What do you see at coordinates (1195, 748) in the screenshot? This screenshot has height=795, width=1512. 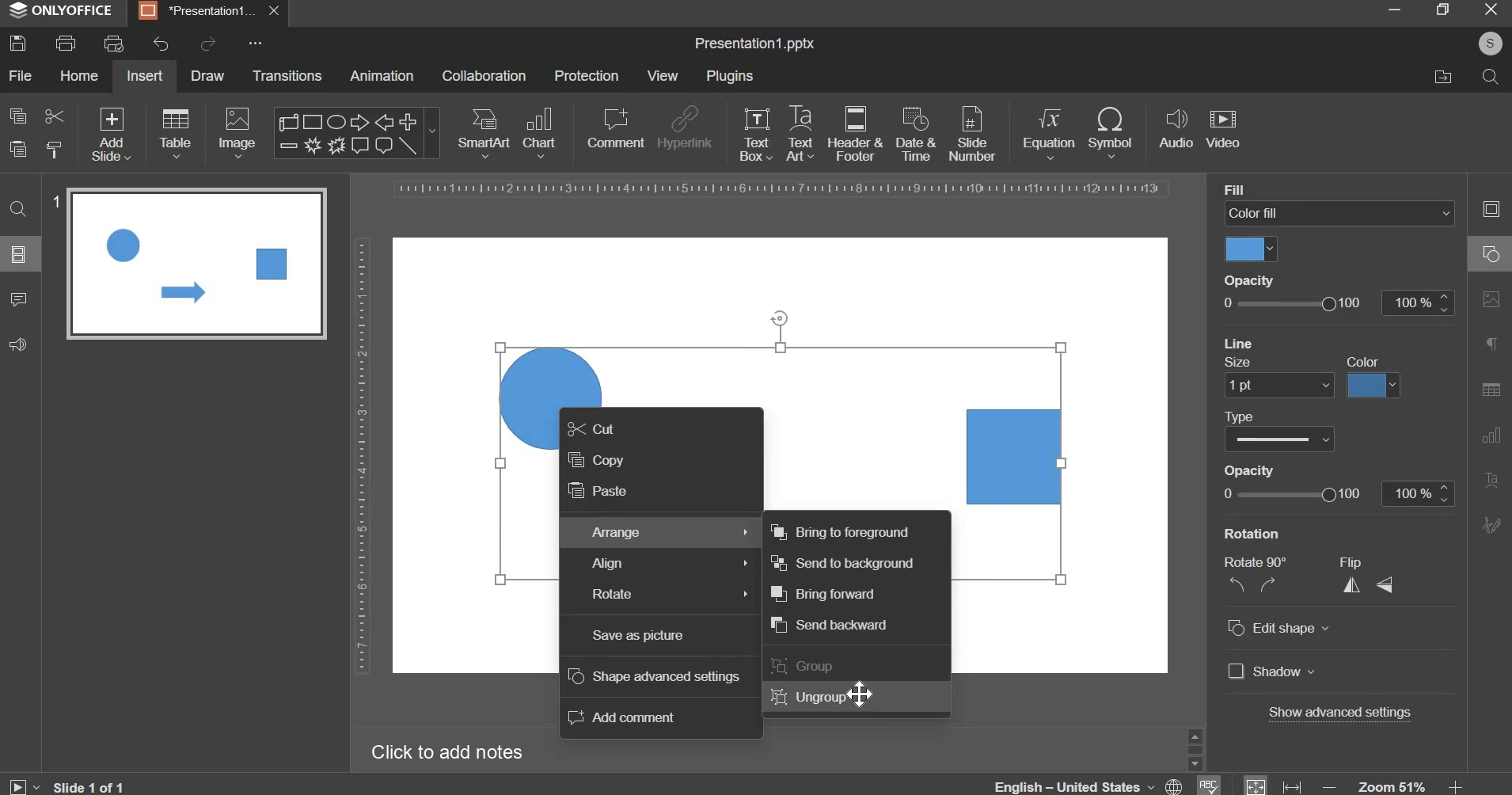 I see `vertical slider` at bounding box center [1195, 748].